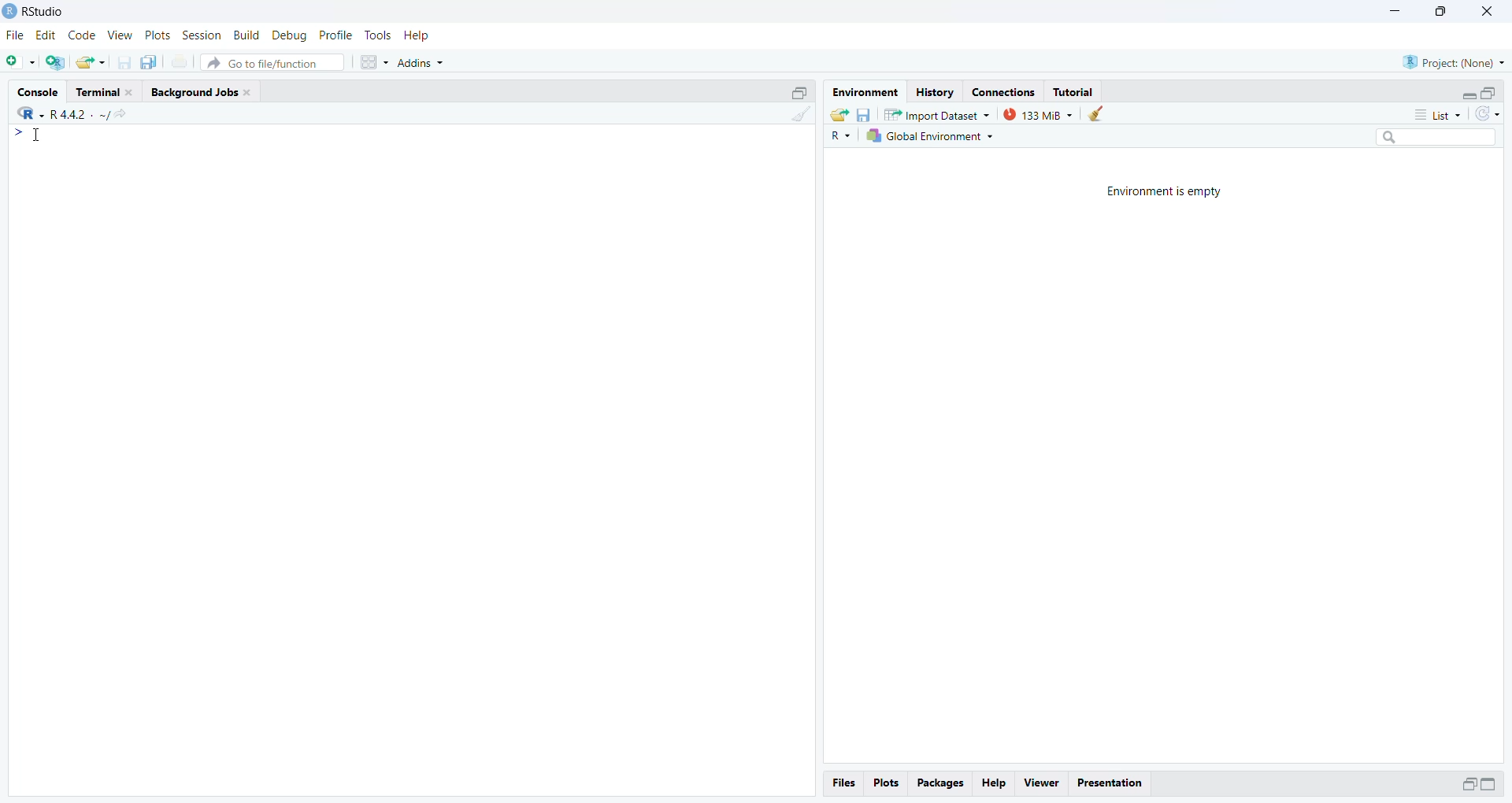 The width and height of the screenshot is (1512, 803). I want to click on Save workspace as, so click(866, 116).